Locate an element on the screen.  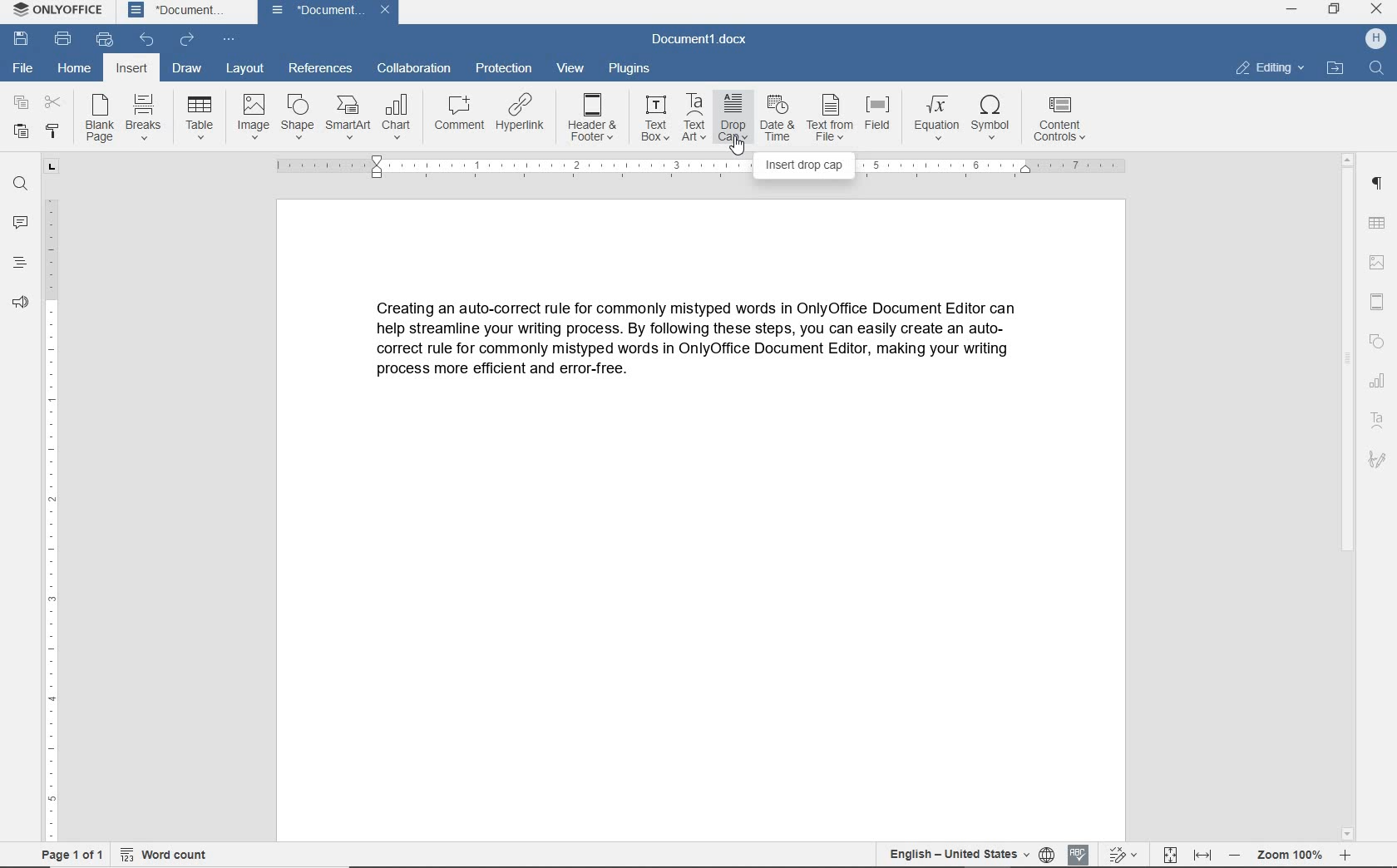
copy is located at coordinates (20, 104).